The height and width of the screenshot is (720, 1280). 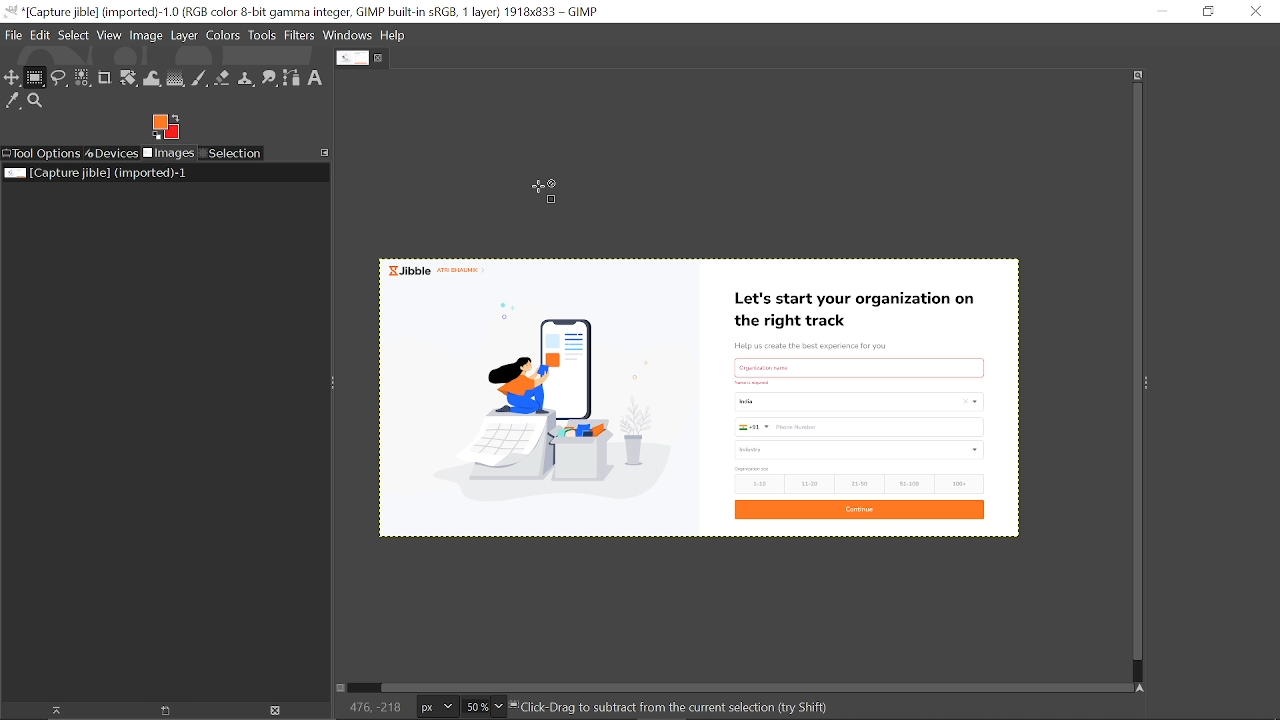 What do you see at coordinates (168, 154) in the screenshot?
I see `Images` at bounding box center [168, 154].